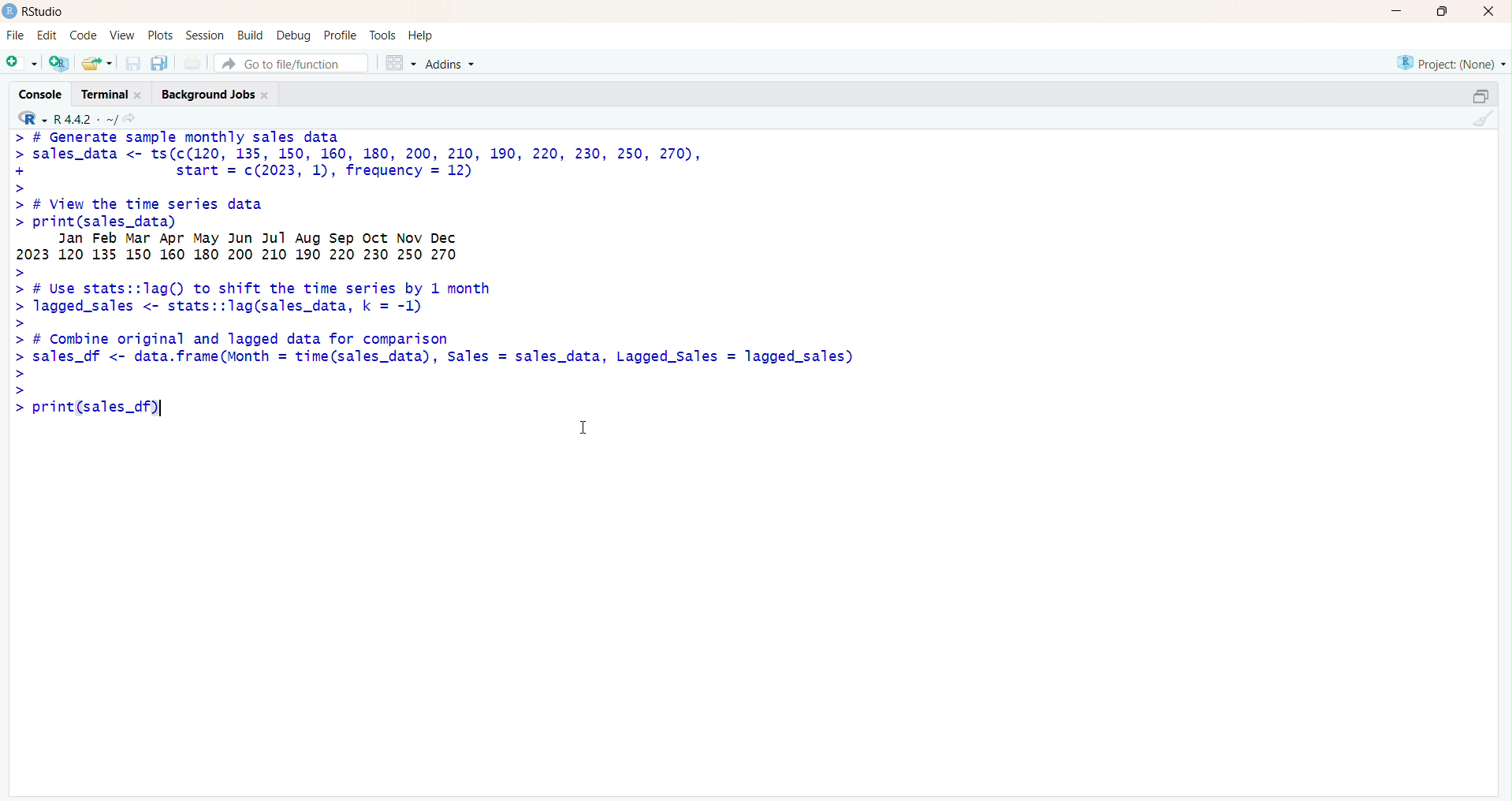 This screenshot has height=801, width=1512. What do you see at coordinates (423, 35) in the screenshot?
I see `help` at bounding box center [423, 35].